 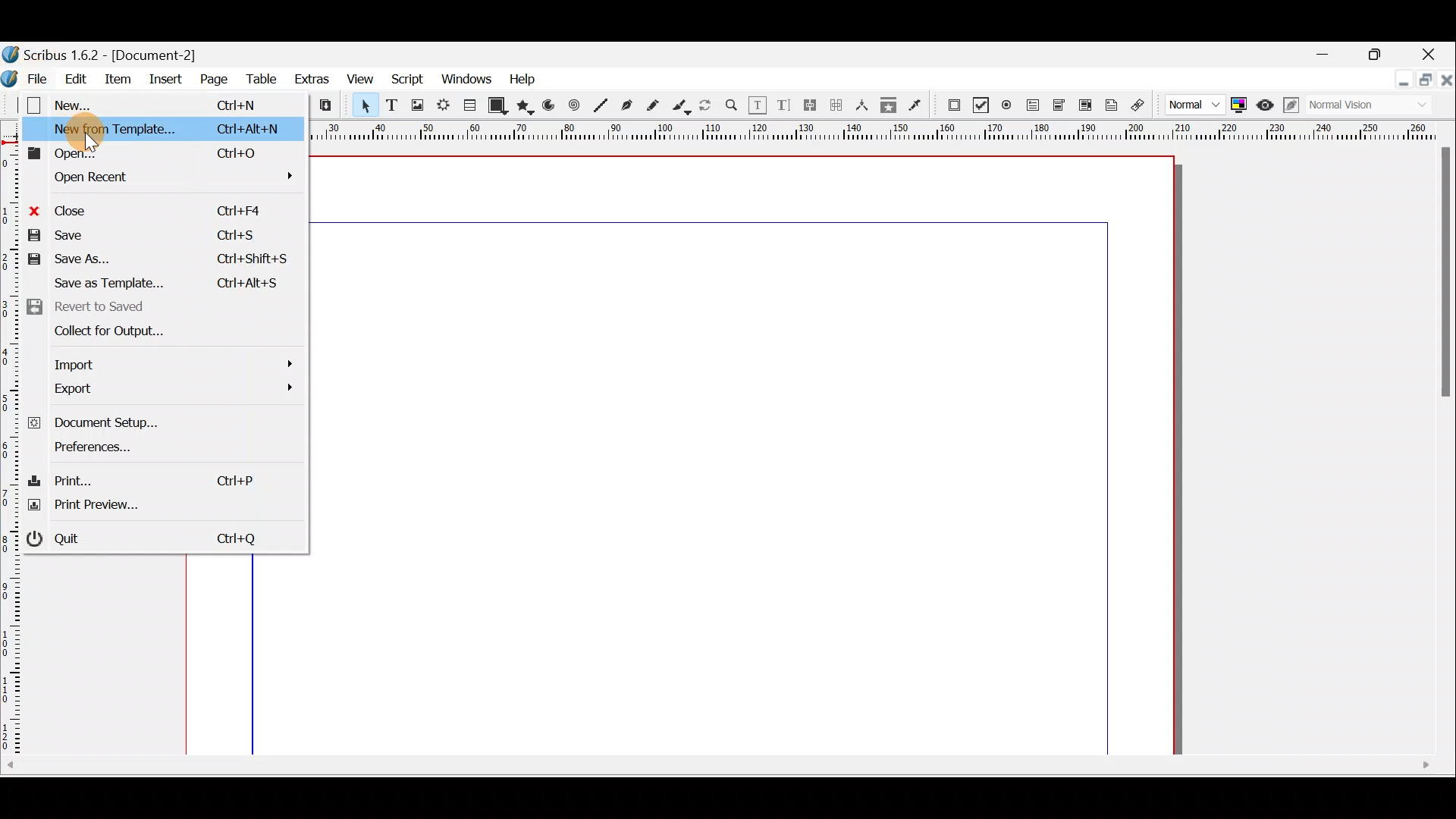 What do you see at coordinates (165, 541) in the screenshot?
I see `Quit` at bounding box center [165, 541].